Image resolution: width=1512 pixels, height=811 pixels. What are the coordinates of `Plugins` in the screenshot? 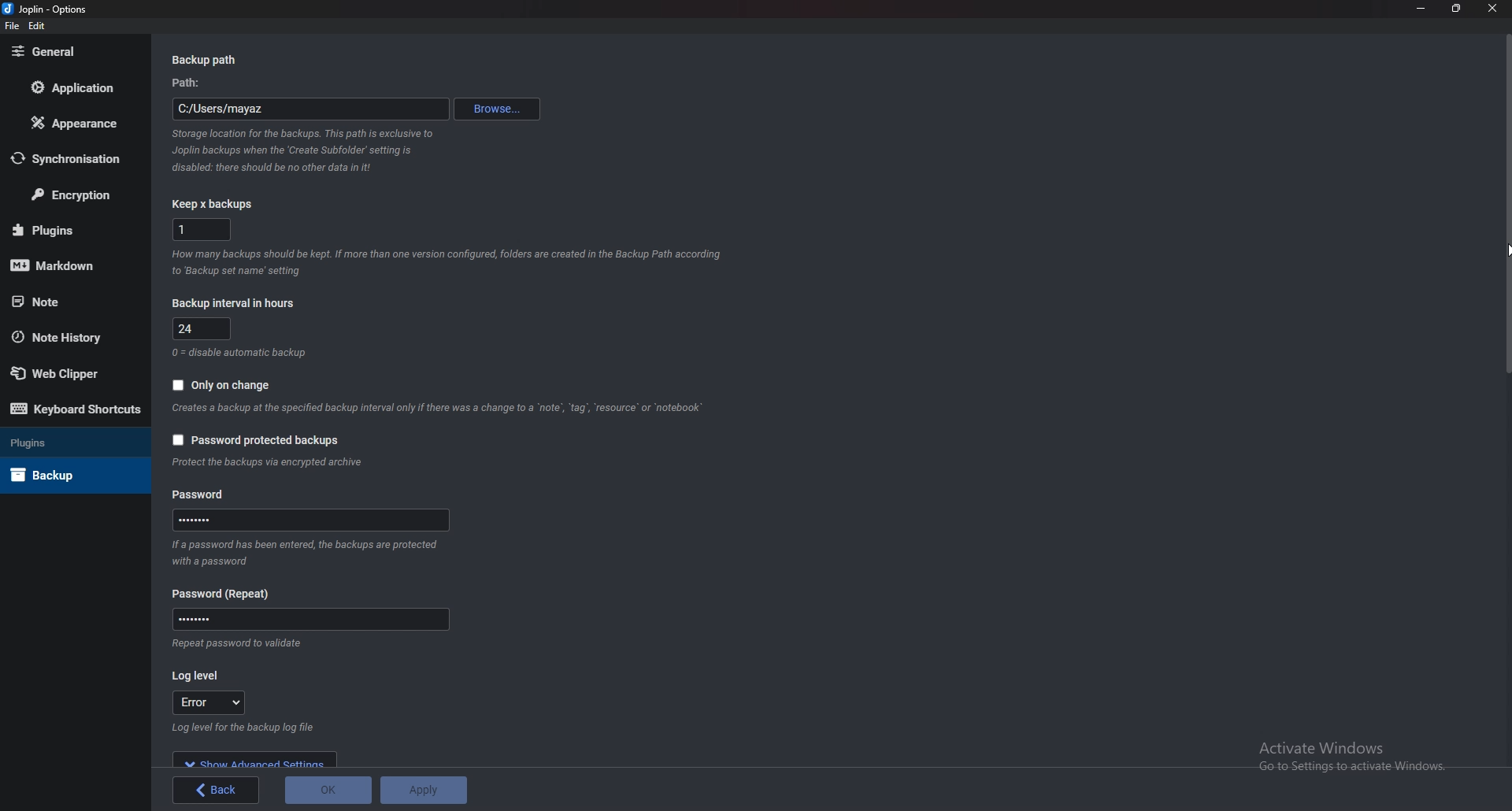 It's located at (67, 444).